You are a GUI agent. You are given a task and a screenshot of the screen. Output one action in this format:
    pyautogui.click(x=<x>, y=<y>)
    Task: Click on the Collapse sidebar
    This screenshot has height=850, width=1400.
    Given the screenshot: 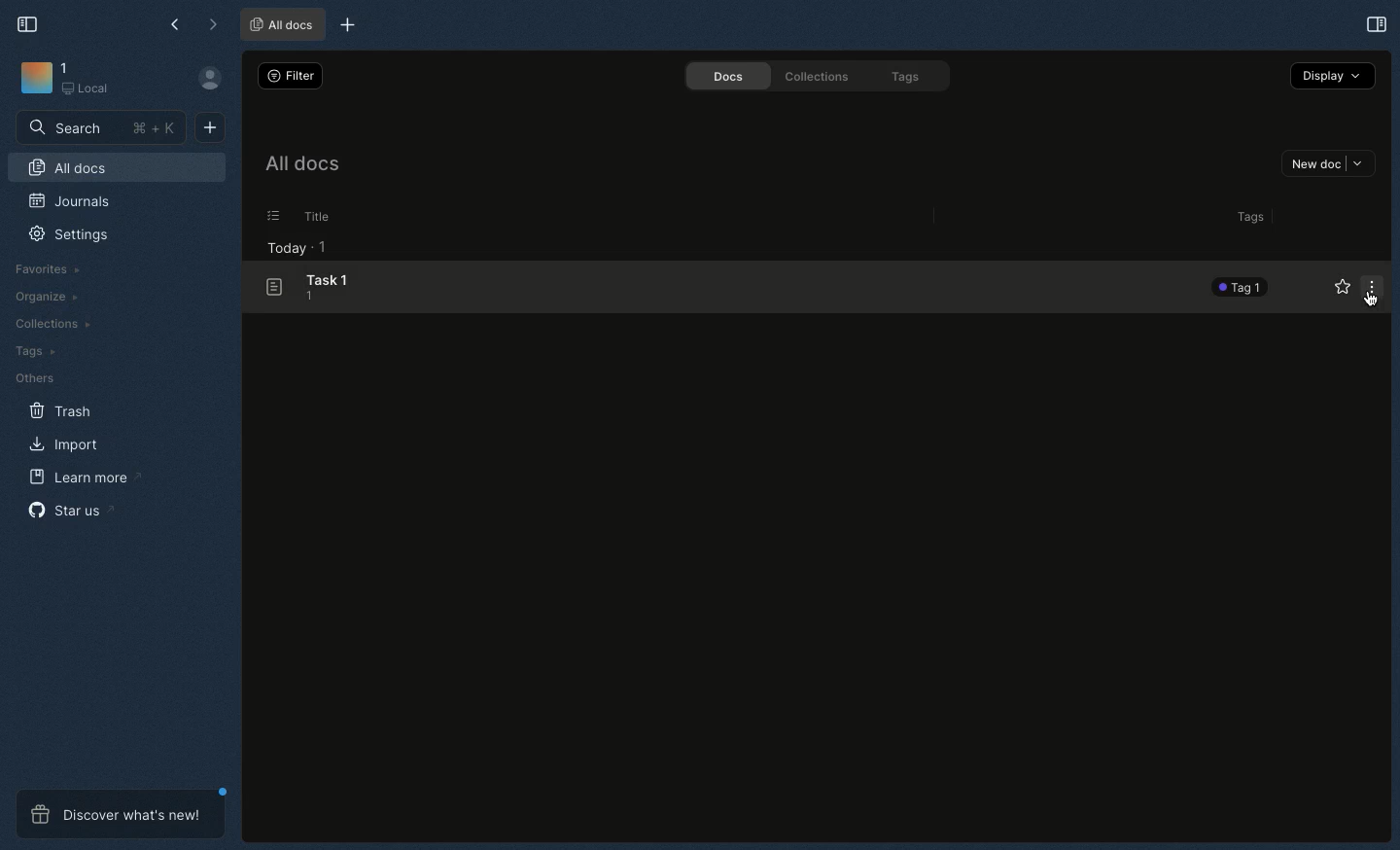 What is the action you would take?
    pyautogui.click(x=23, y=23)
    